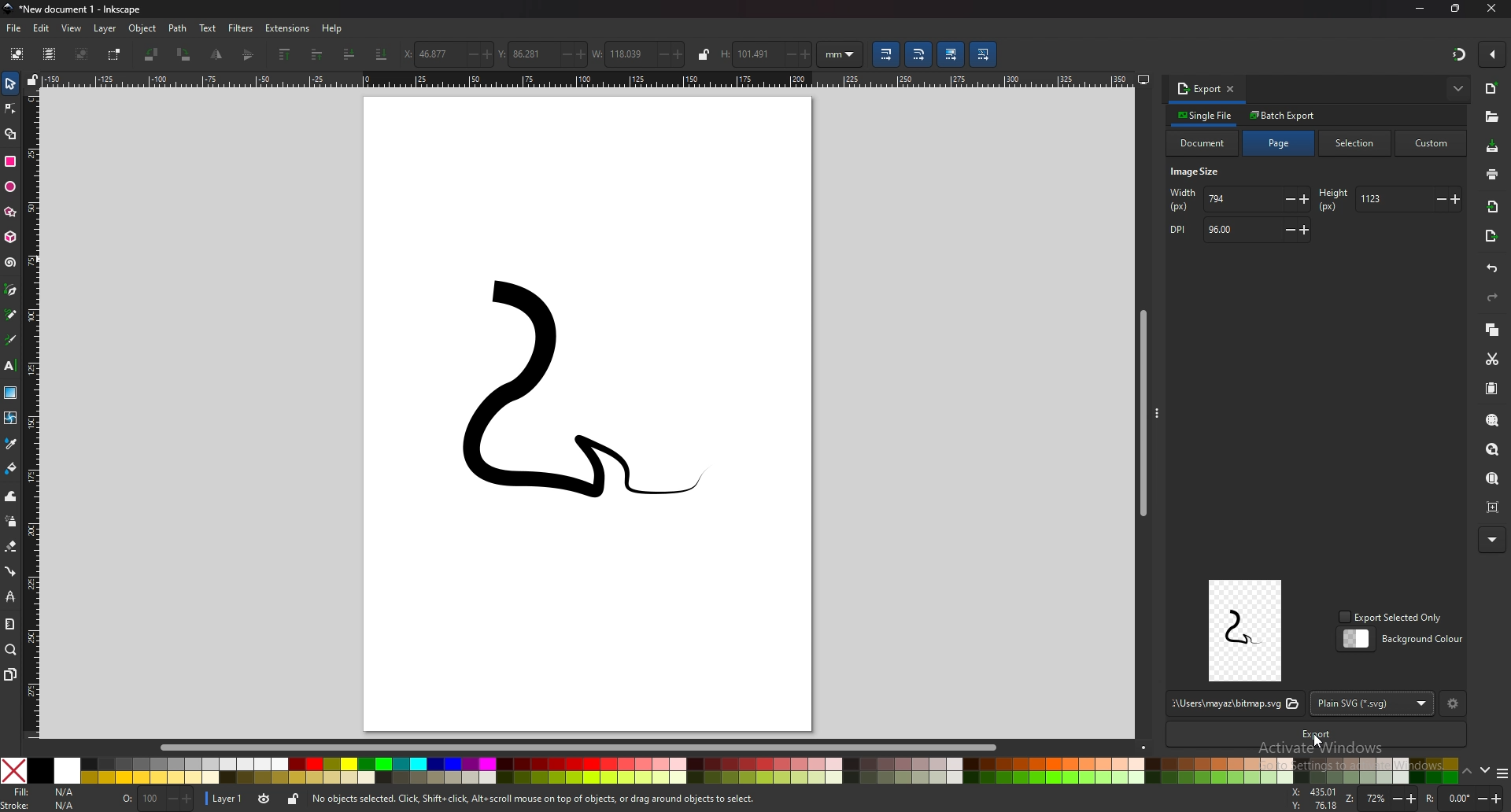  What do you see at coordinates (1493, 147) in the screenshot?
I see `save` at bounding box center [1493, 147].